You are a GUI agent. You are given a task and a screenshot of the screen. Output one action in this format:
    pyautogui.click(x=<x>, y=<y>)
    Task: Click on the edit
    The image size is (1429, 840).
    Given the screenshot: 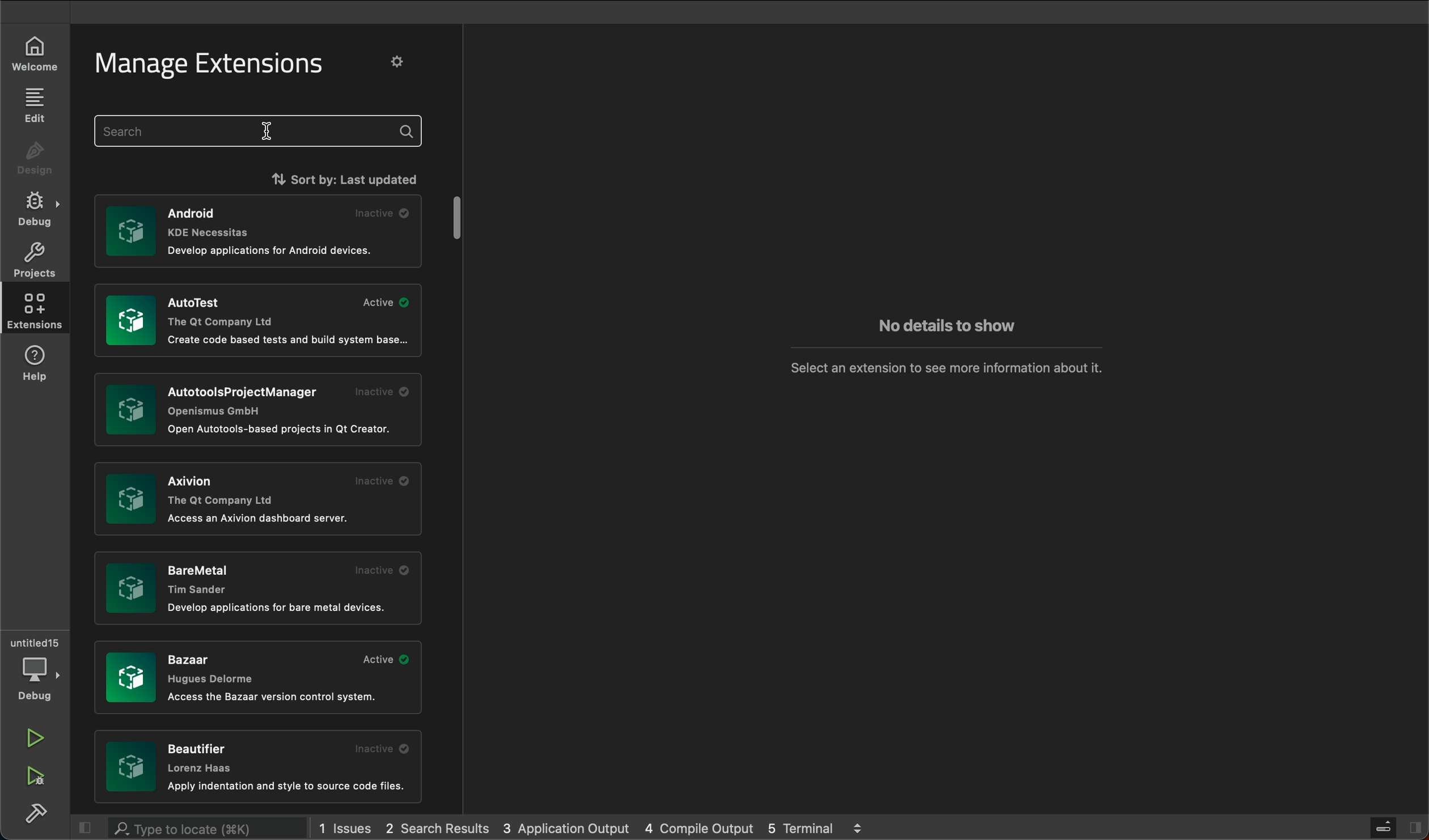 What is the action you would take?
    pyautogui.click(x=33, y=104)
    